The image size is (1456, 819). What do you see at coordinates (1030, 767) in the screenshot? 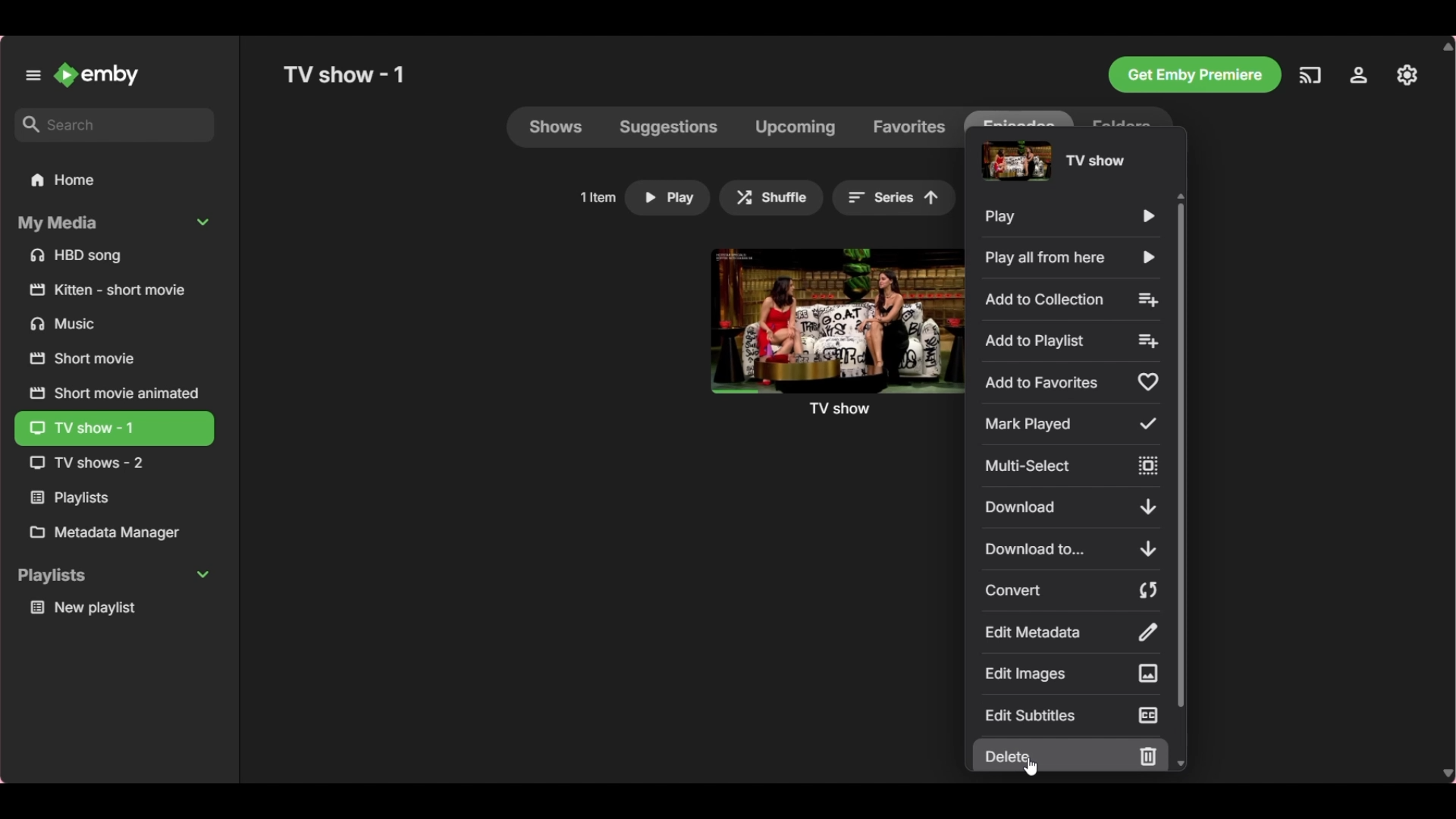
I see `Cursor` at bounding box center [1030, 767].